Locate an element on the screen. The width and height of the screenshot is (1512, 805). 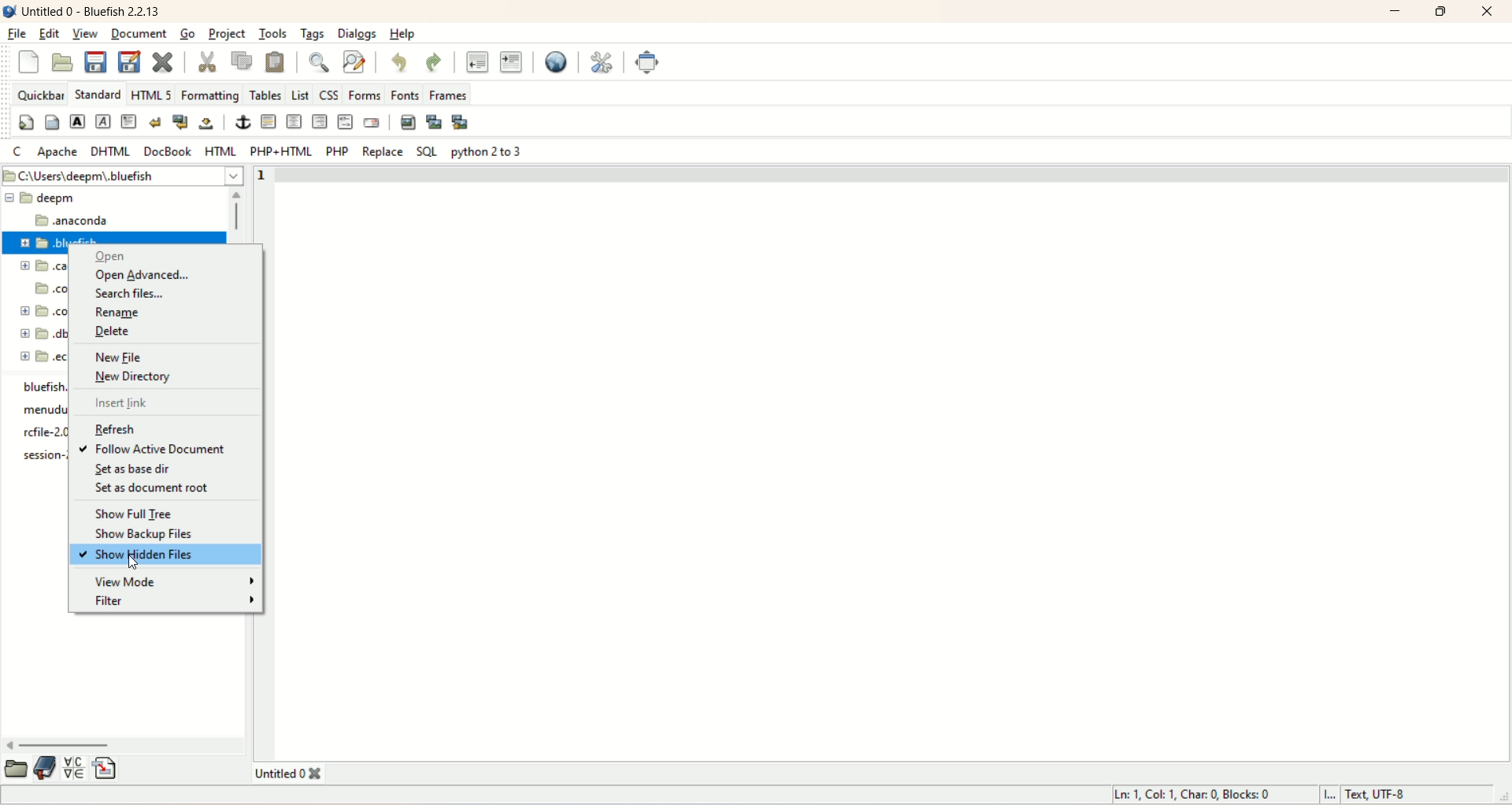
show hidden files is located at coordinates (166, 555).